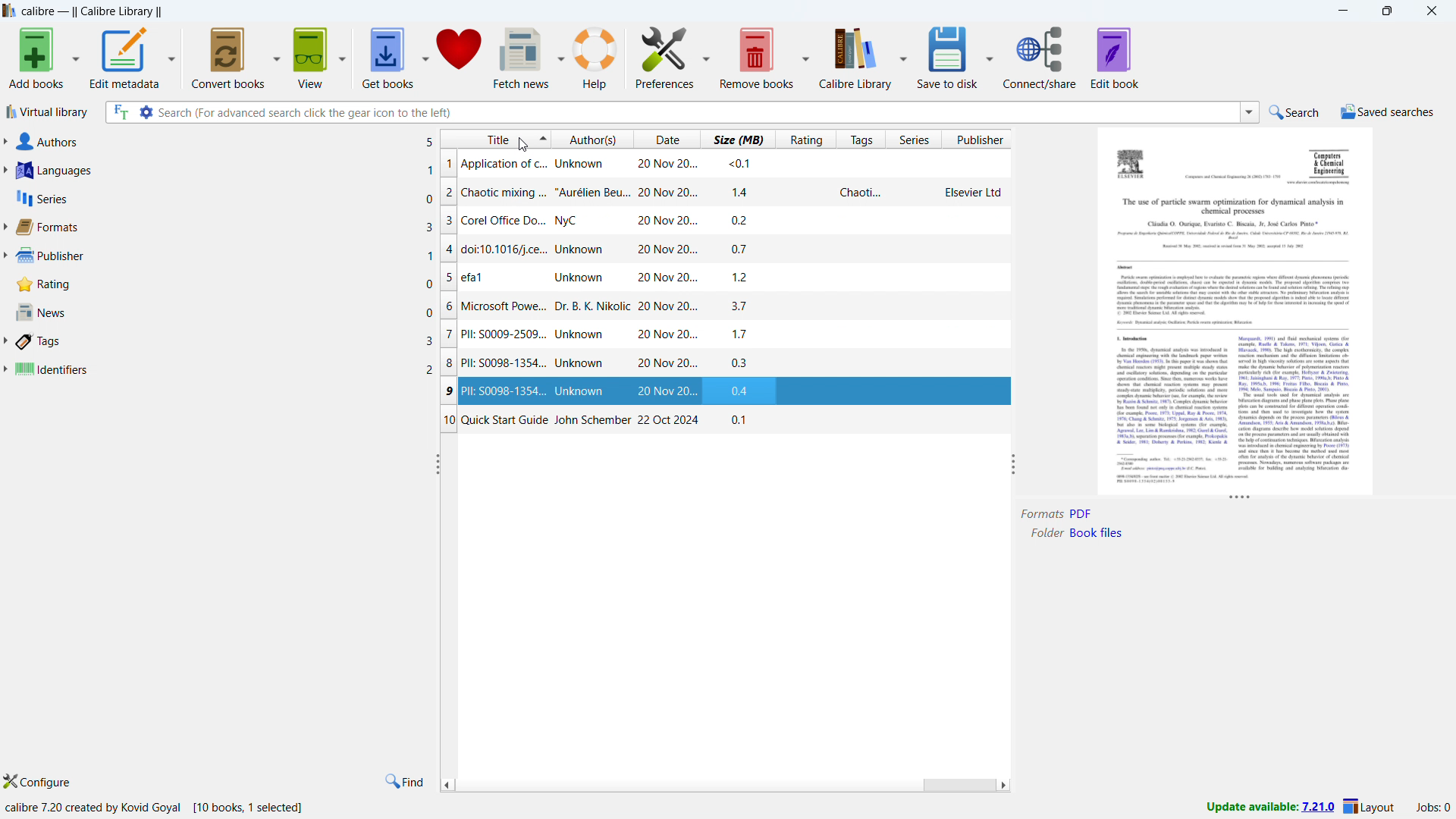  Describe the element at coordinates (224, 312) in the screenshot. I see `news` at that location.